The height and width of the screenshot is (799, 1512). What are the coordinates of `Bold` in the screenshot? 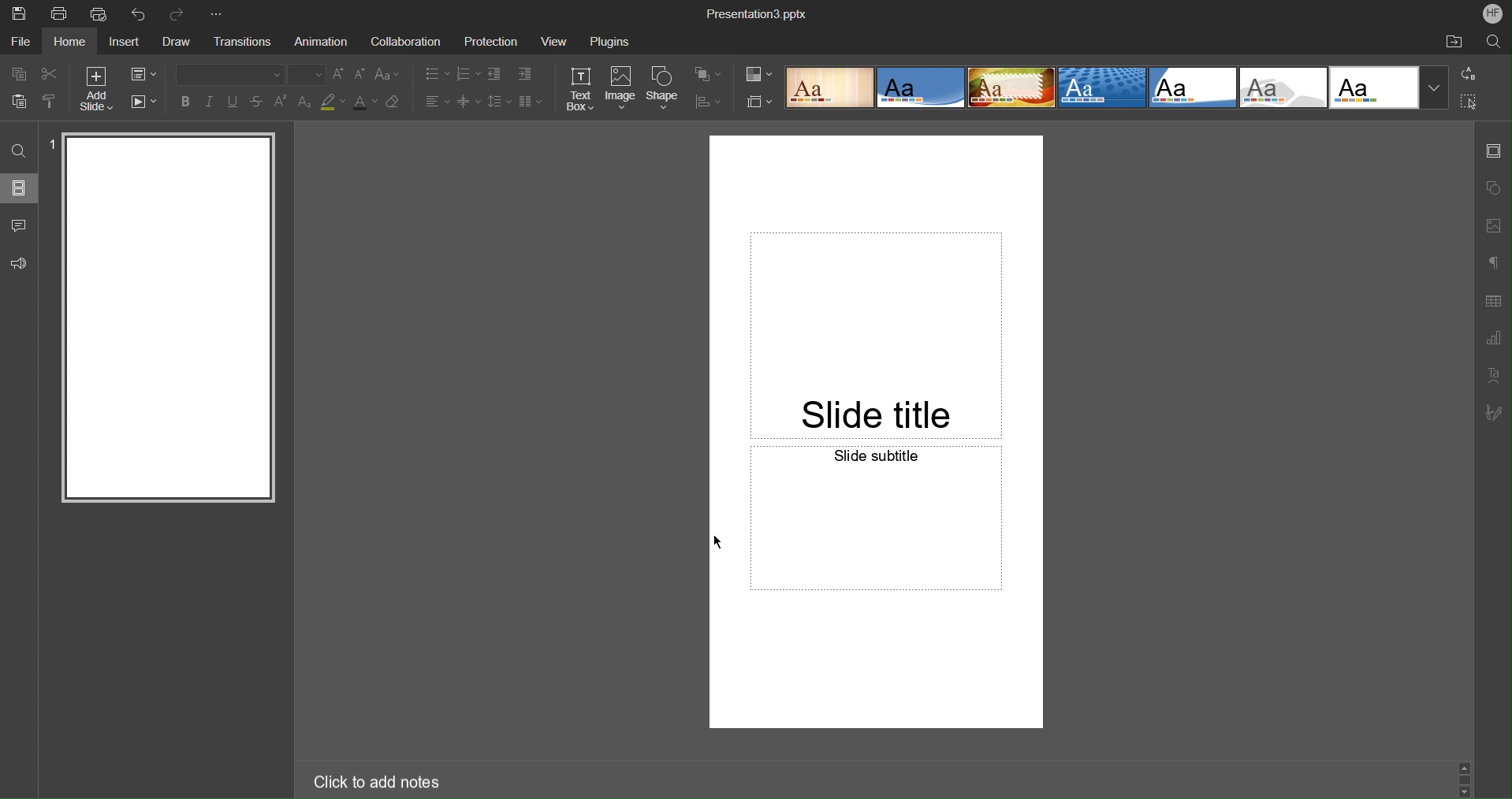 It's located at (184, 102).